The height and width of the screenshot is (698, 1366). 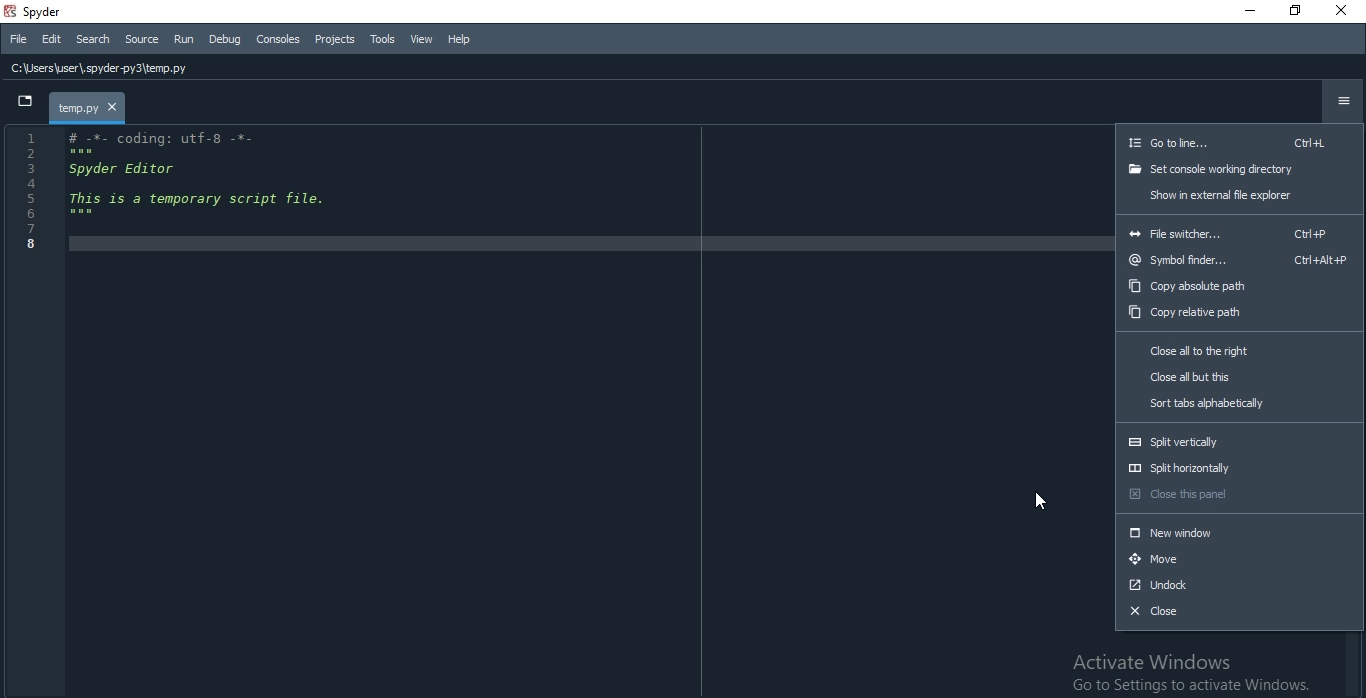 I want to click on close all the right, so click(x=1238, y=352).